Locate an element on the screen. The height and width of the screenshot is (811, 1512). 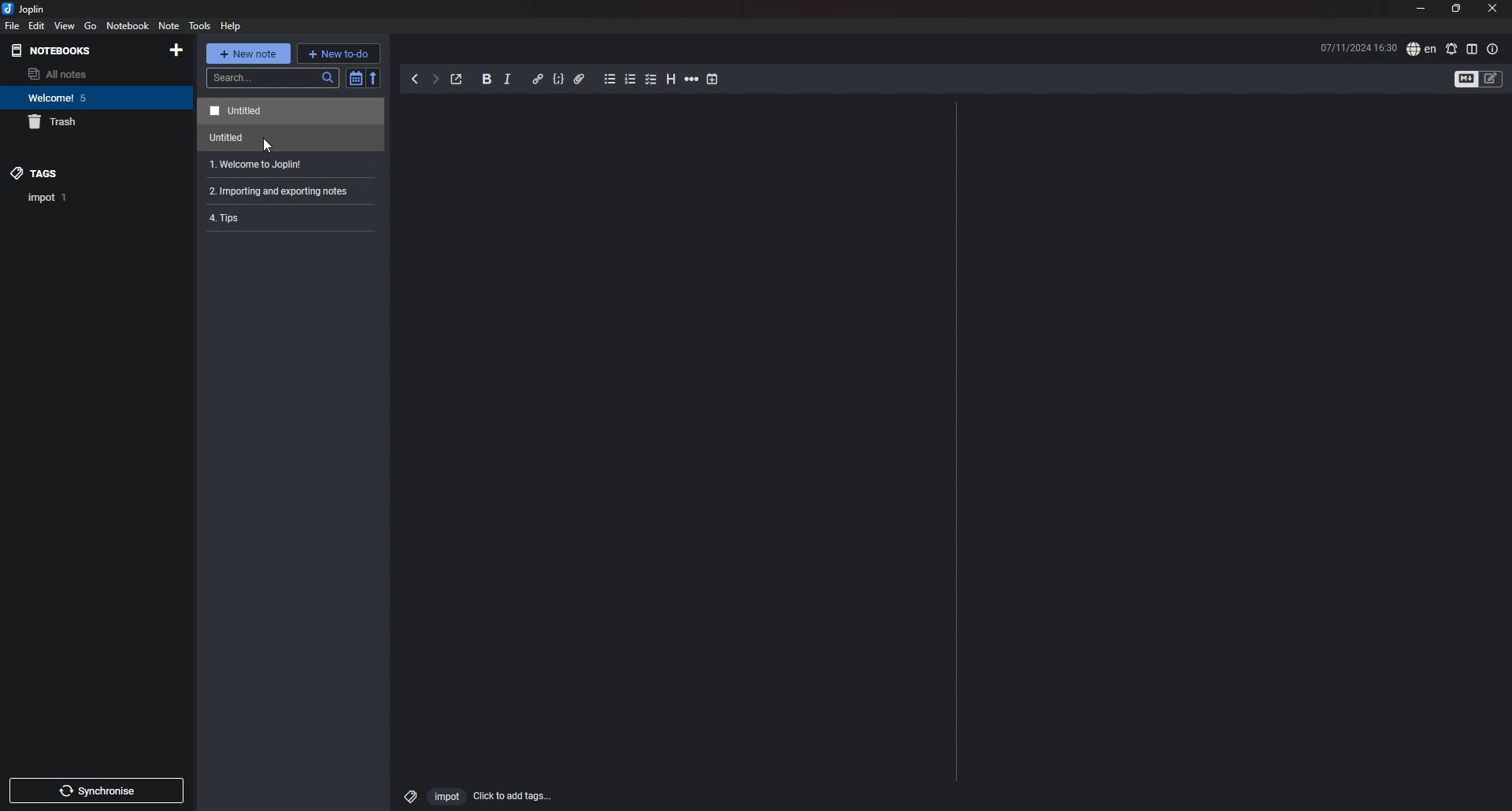
go is located at coordinates (91, 25).